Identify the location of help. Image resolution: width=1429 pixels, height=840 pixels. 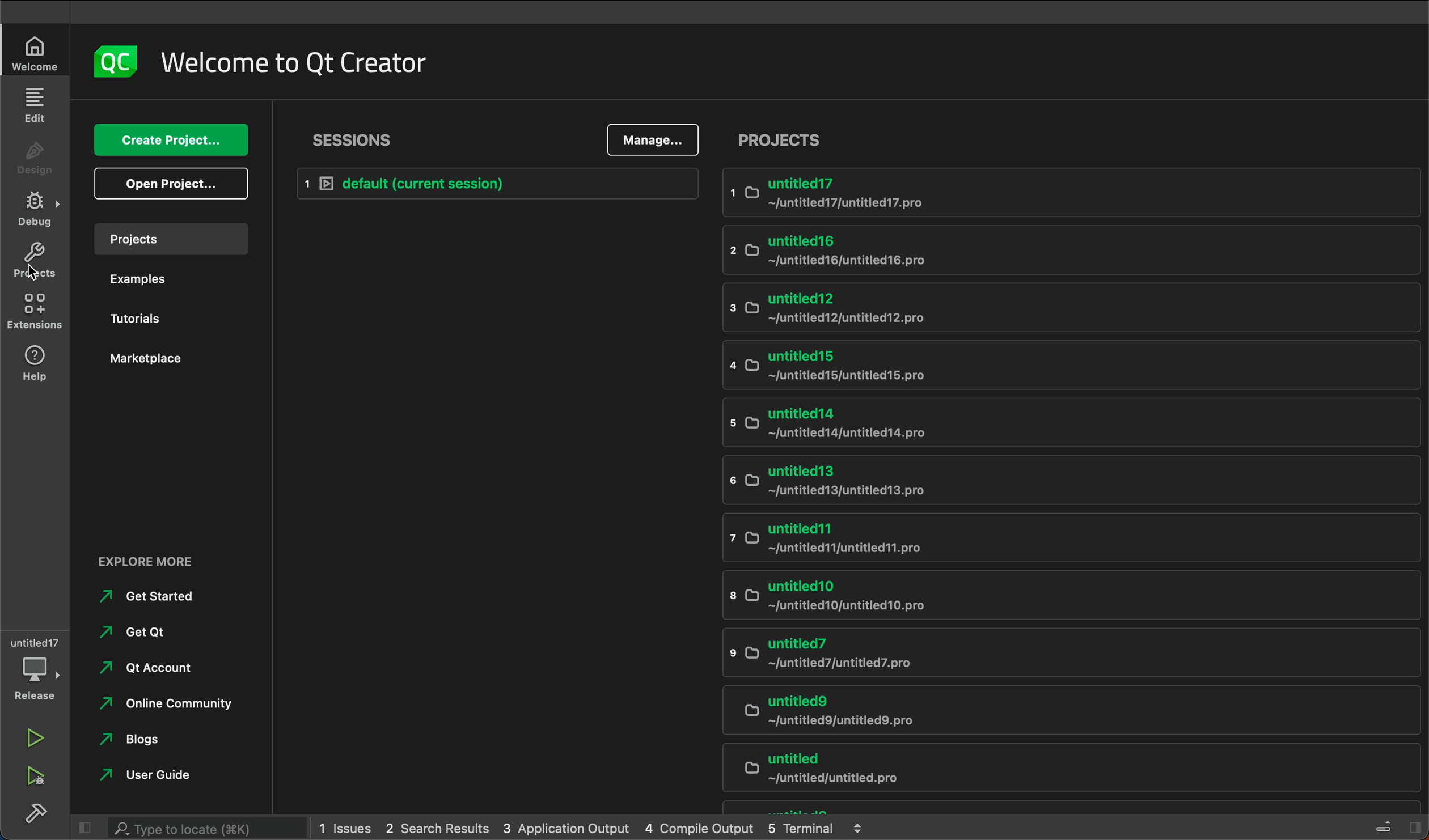
(33, 367).